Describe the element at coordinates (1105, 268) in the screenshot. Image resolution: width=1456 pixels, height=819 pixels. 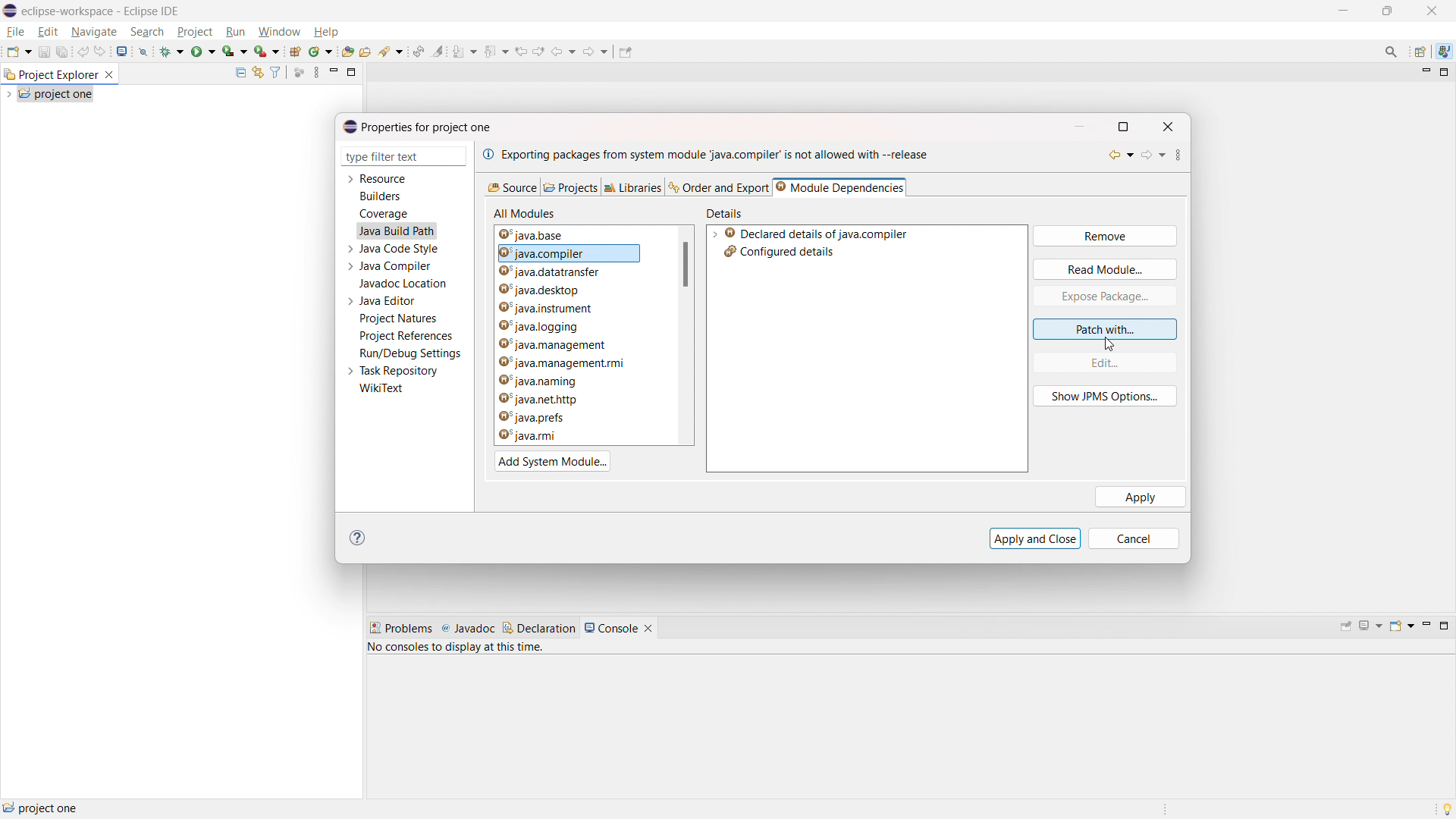
I see `read module` at that location.